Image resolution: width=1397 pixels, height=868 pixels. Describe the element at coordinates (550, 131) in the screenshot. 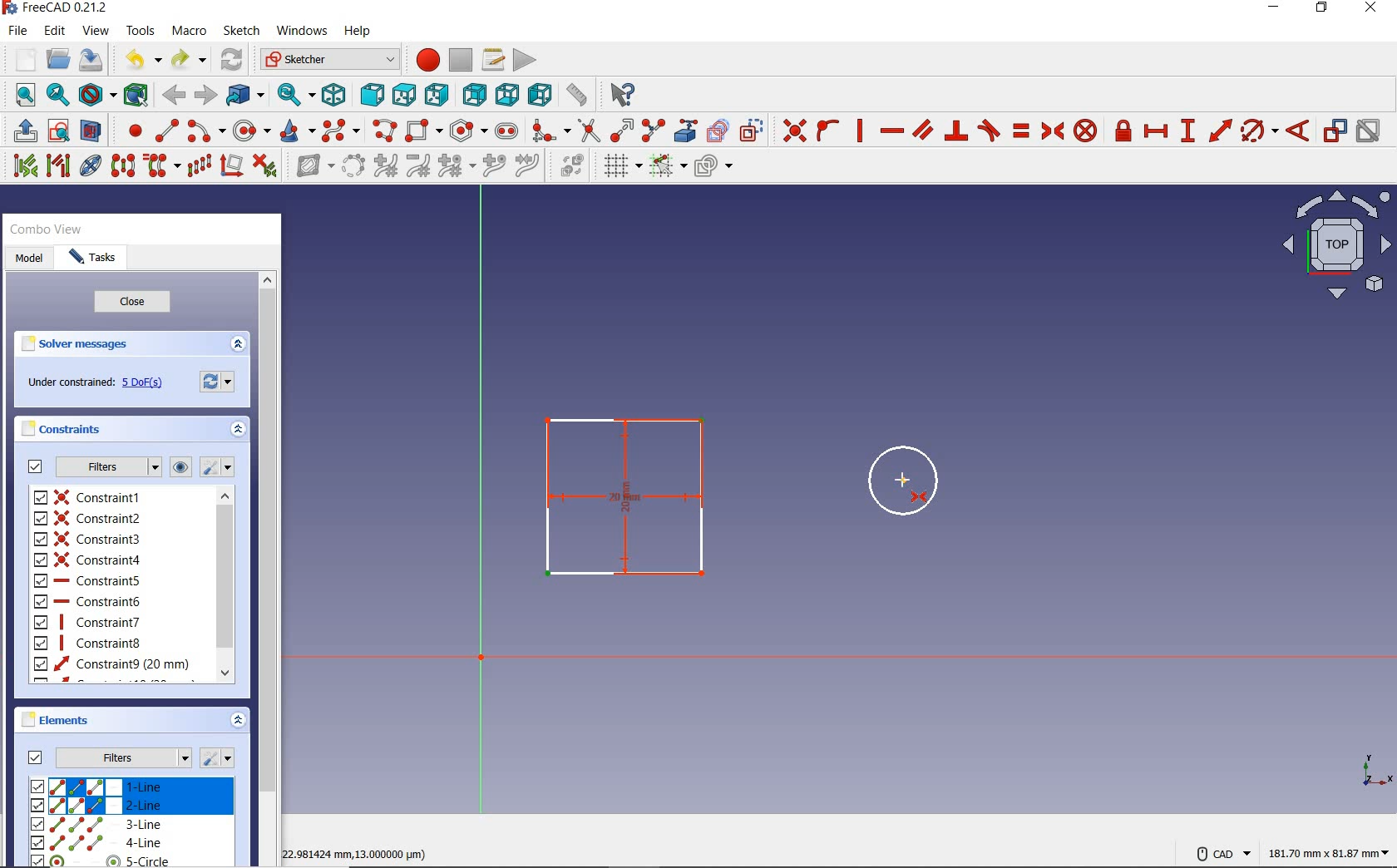

I see `create fillet` at that location.